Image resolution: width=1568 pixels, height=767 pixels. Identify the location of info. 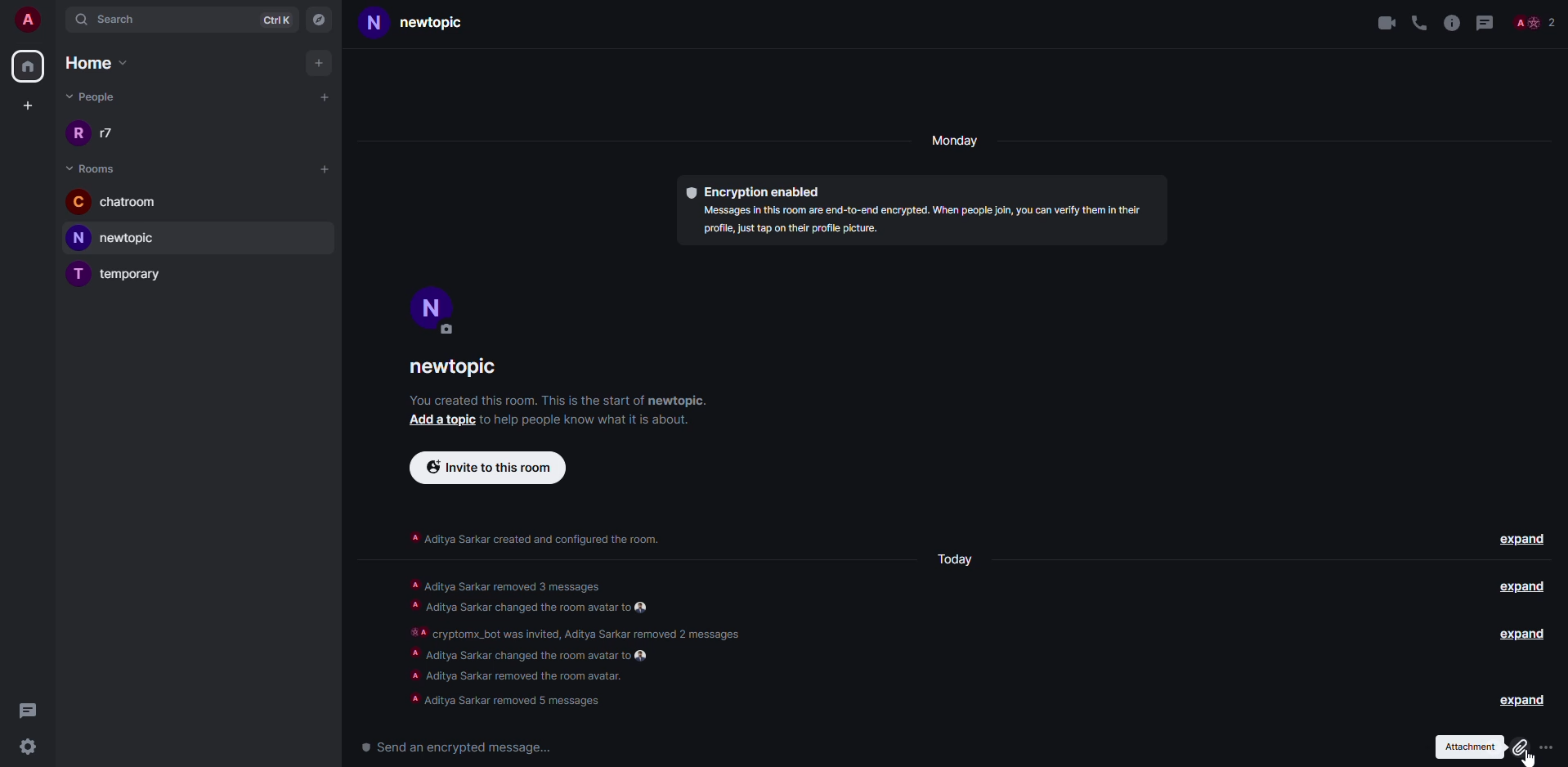
(539, 536).